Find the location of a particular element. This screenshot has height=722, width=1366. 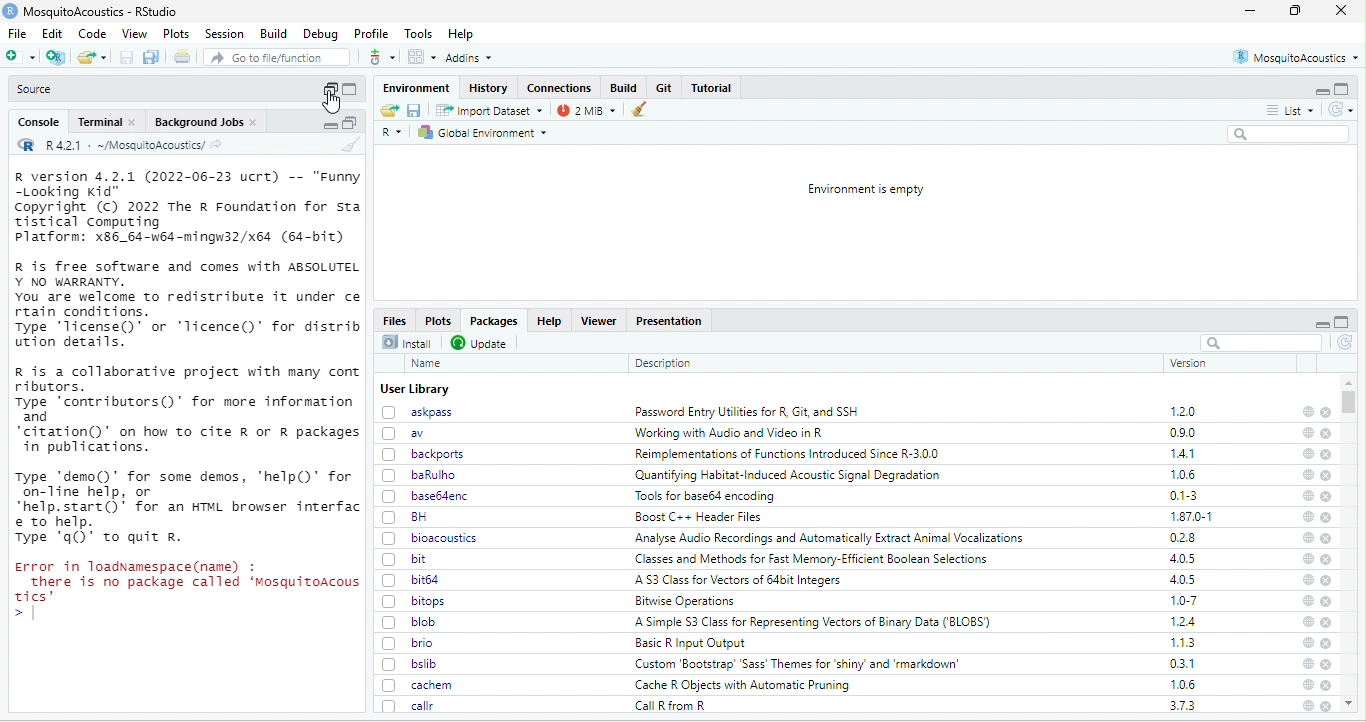

Code is located at coordinates (93, 33).